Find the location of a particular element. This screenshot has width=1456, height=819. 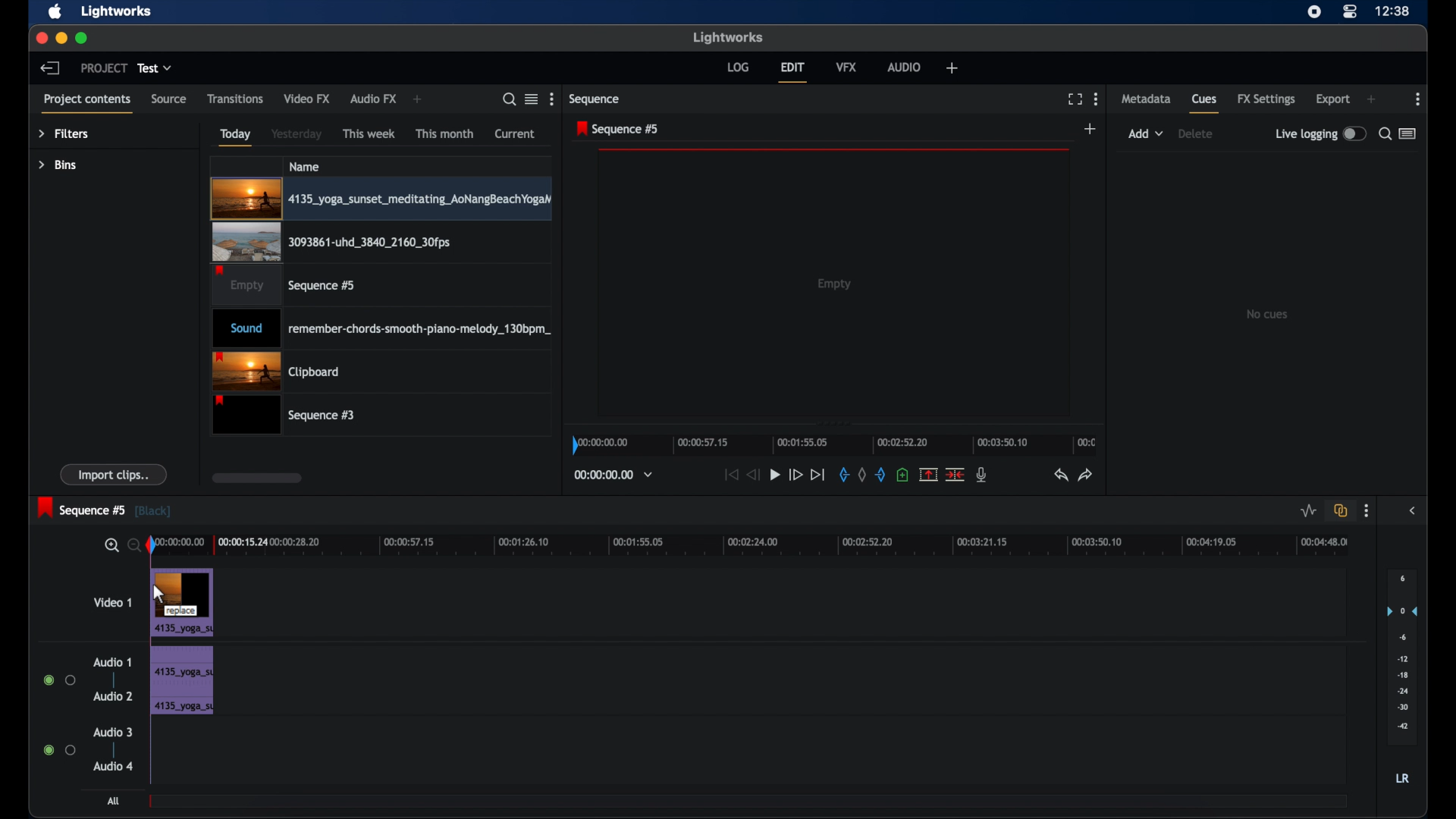

screen recorder icon is located at coordinates (1313, 12).